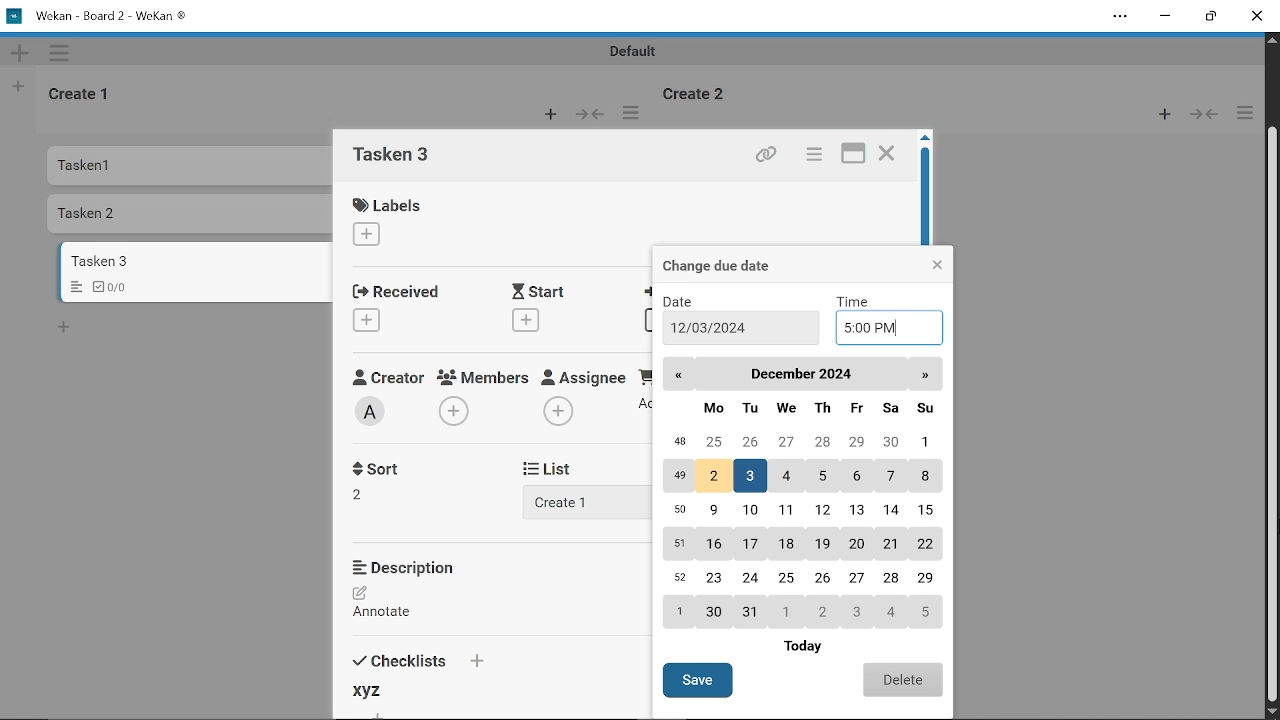 The image size is (1280, 720). I want to click on Settings and more, so click(1120, 16).